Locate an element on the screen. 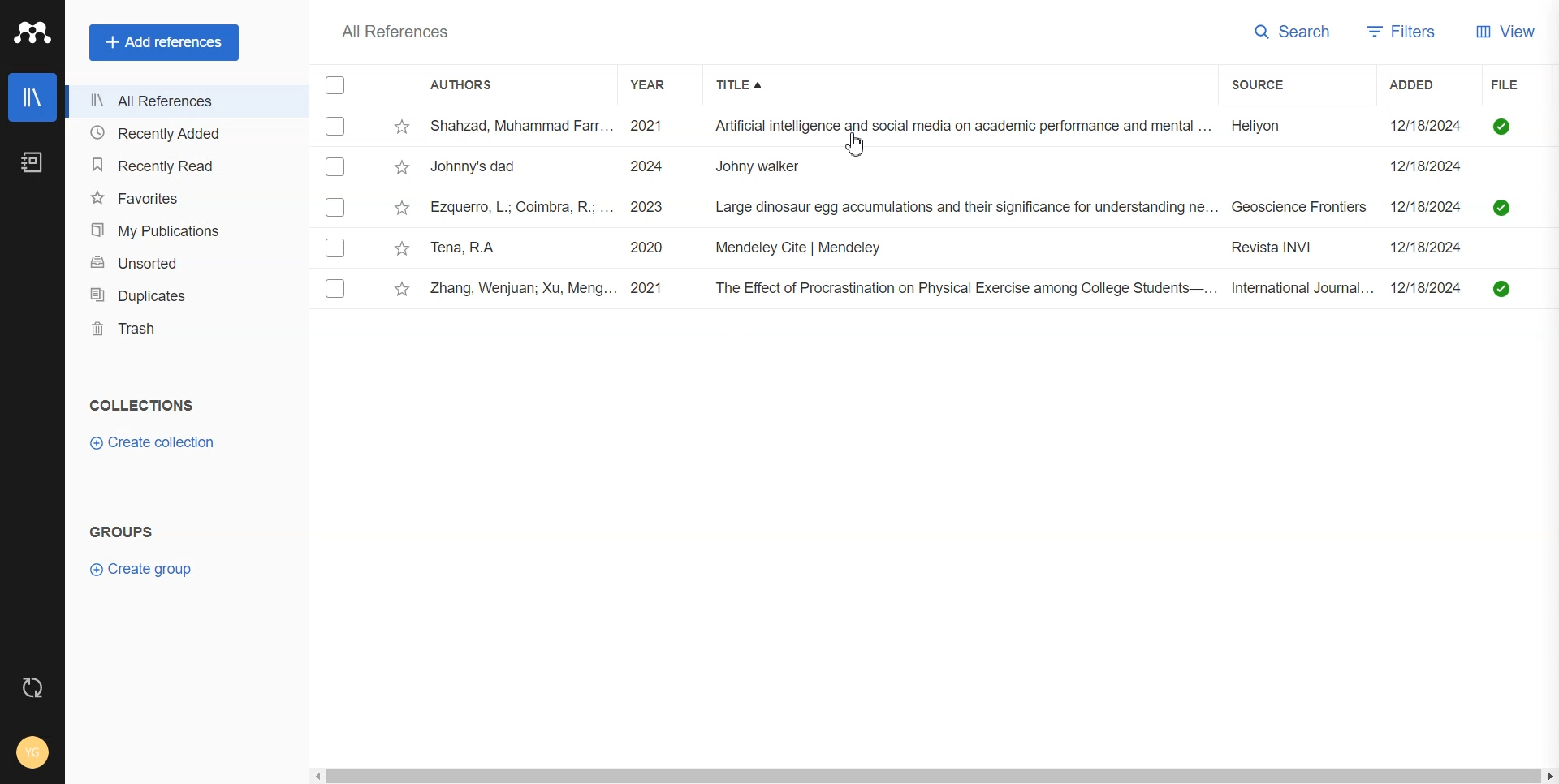  uploaded is located at coordinates (1503, 126).